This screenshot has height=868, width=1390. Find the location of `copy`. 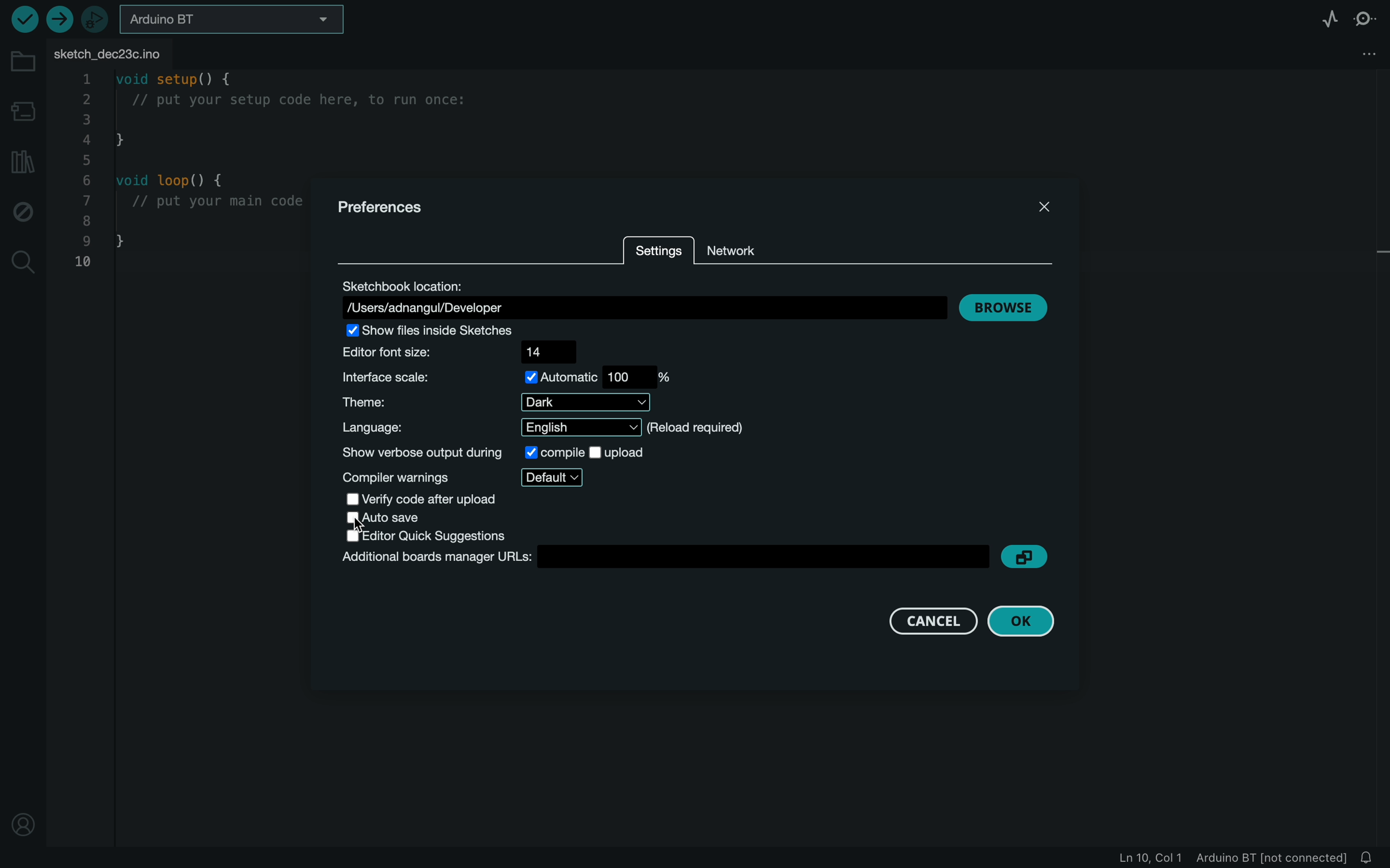

copy is located at coordinates (1024, 556).